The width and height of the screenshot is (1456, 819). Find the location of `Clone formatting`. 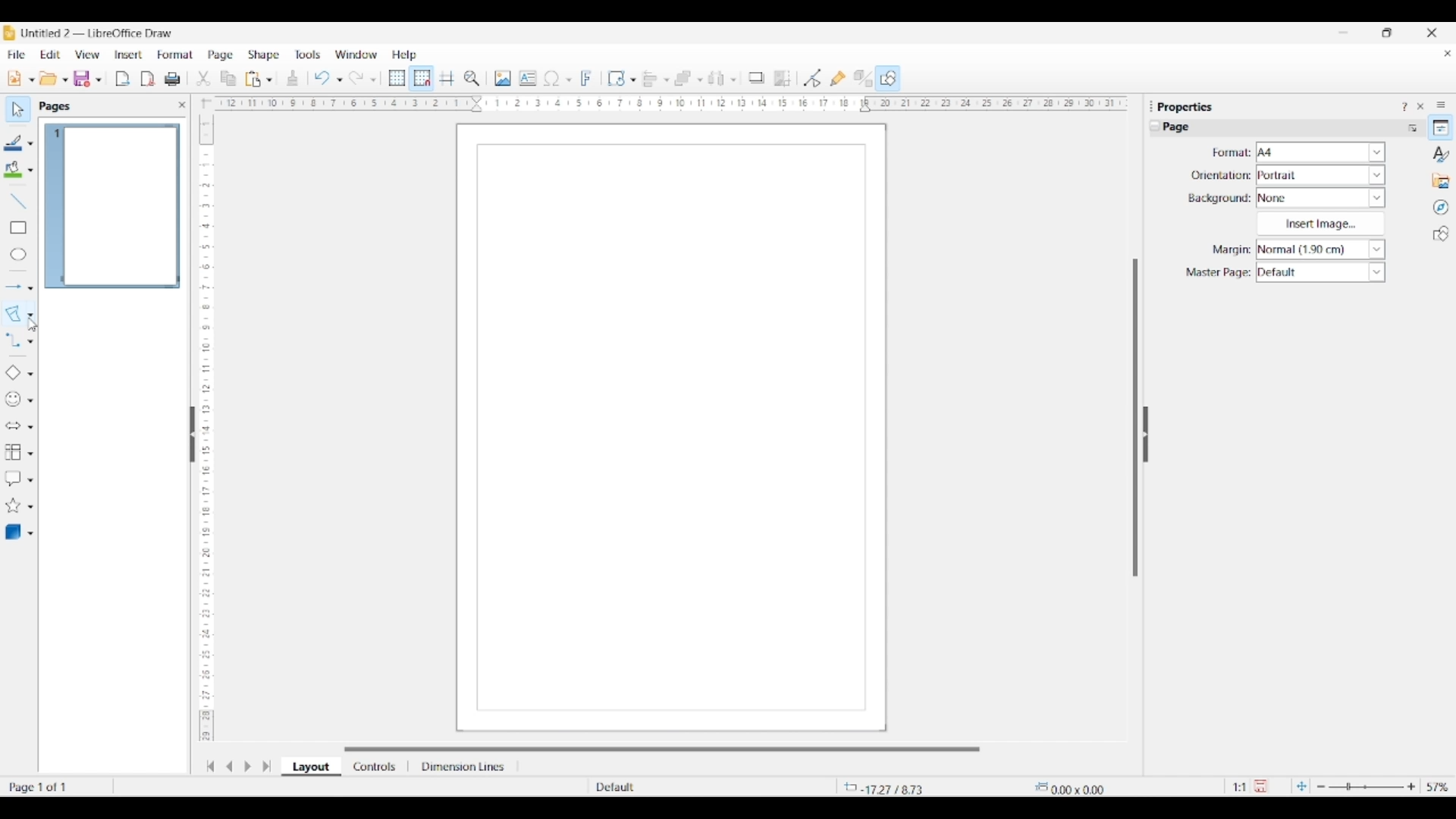

Clone formatting is located at coordinates (293, 78).